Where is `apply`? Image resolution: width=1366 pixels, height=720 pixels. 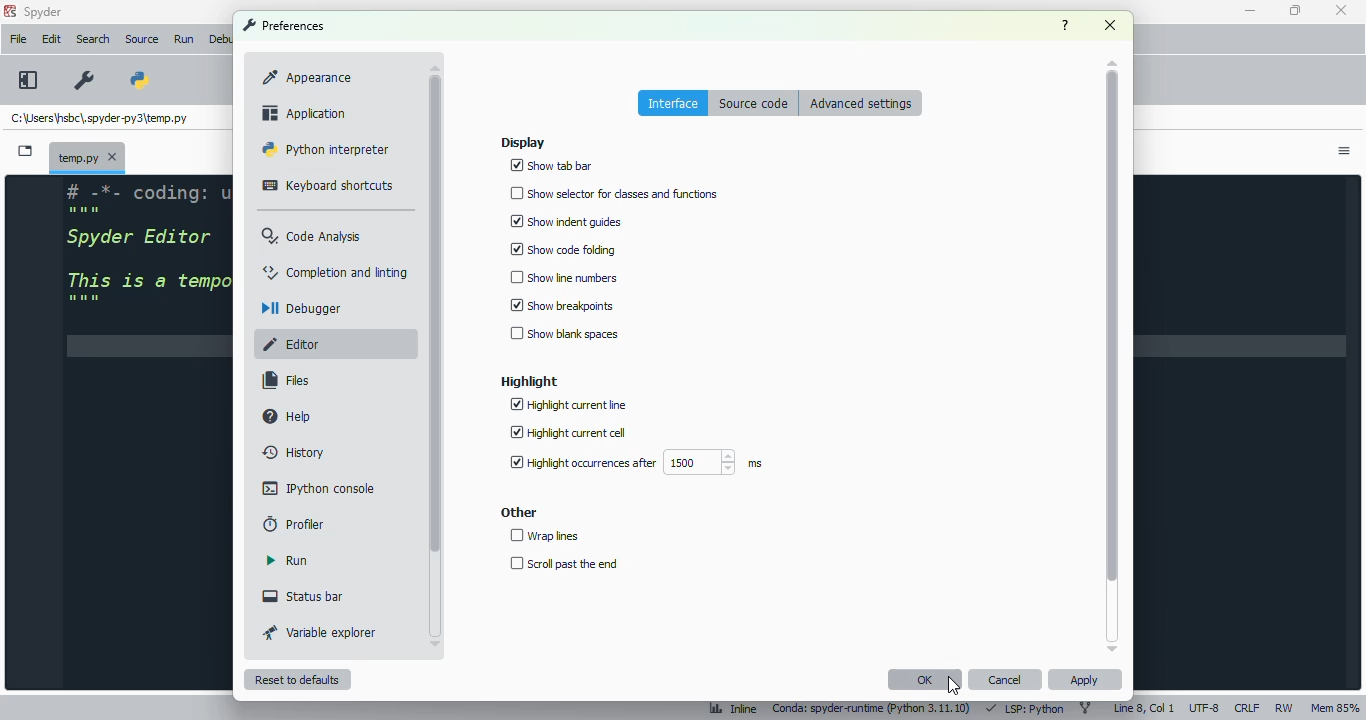
apply is located at coordinates (1085, 679).